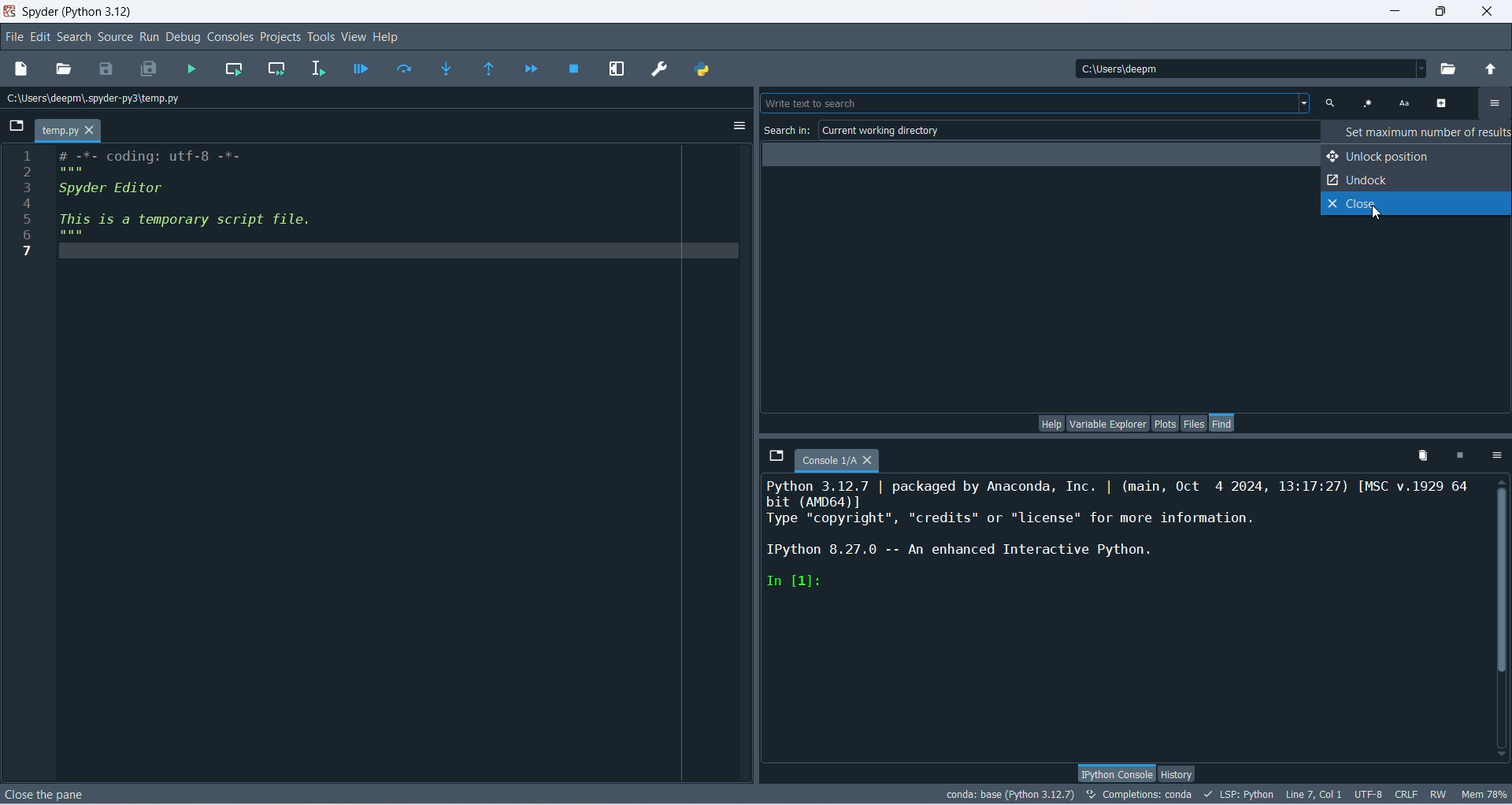  Describe the element at coordinates (1437, 795) in the screenshot. I see `RW` at that location.